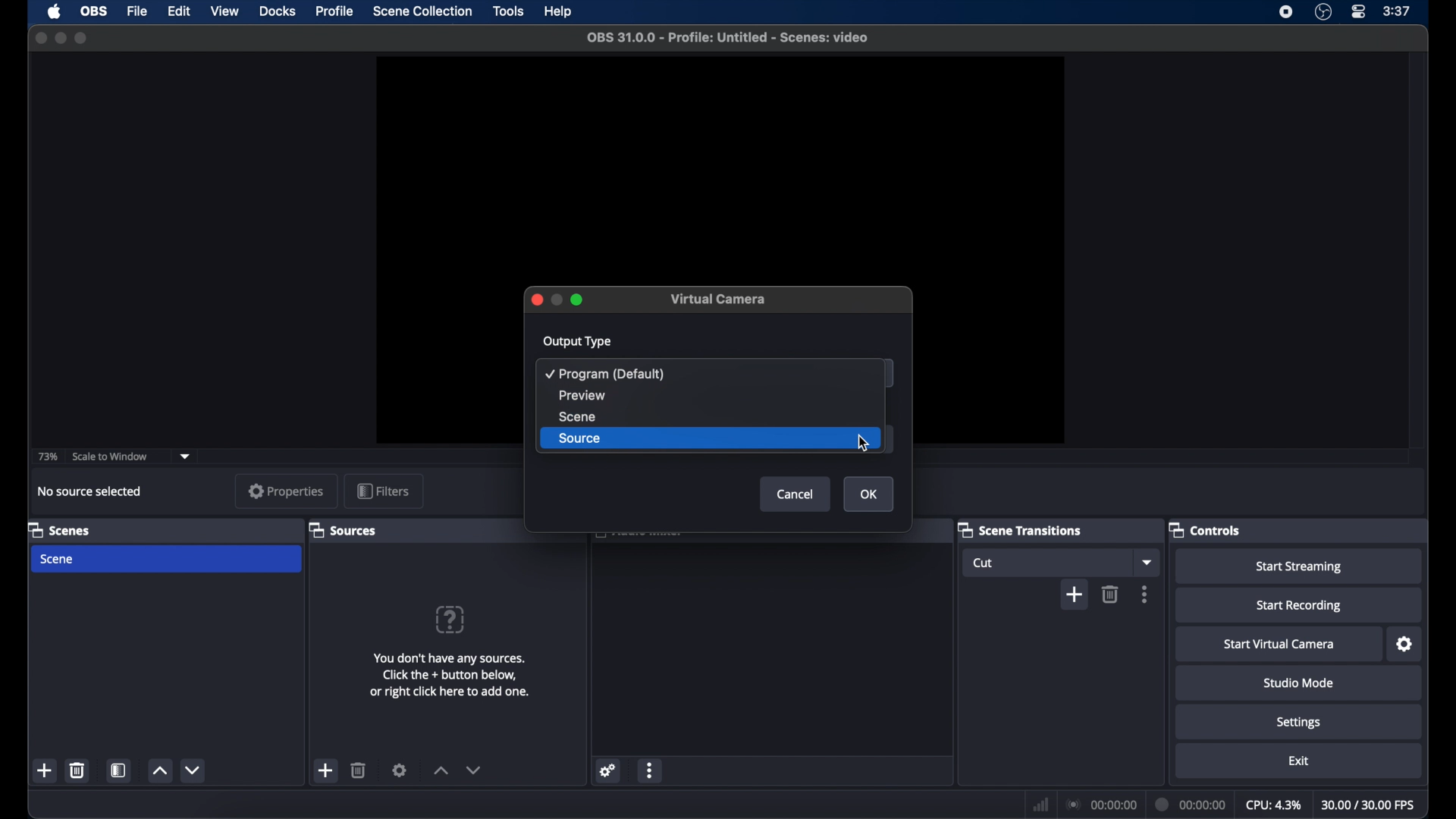 The height and width of the screenshot is (819, 1456). What do you see at coordinates (535, 300) in the screenshot?
I see `Close` at bounding box center [535, 300].